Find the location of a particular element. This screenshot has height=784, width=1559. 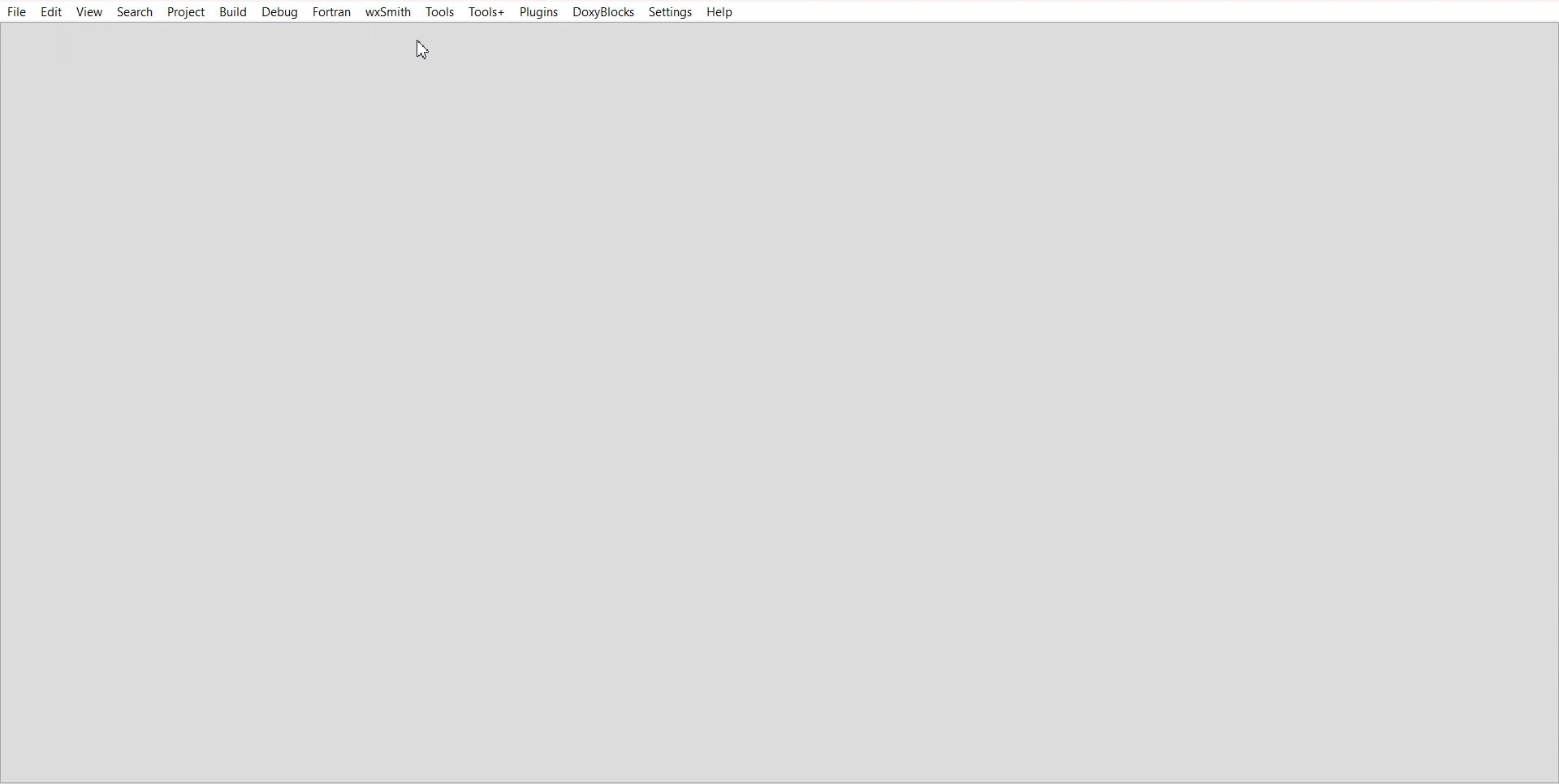

Search is located at coordinates (135, 12).